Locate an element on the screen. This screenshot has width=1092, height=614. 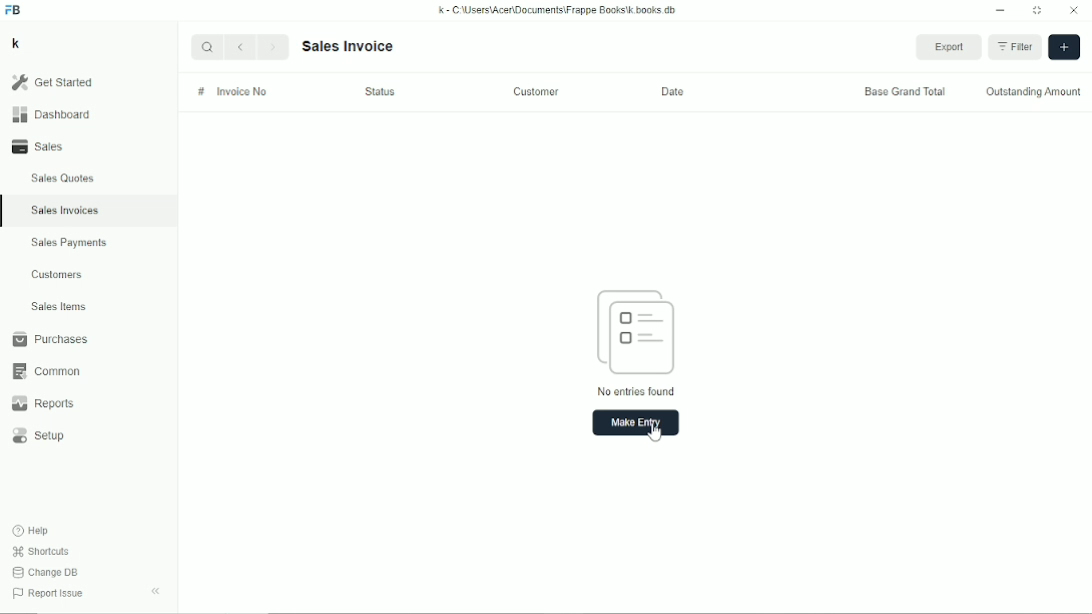
Cursor is located at coordinates (655, 430).